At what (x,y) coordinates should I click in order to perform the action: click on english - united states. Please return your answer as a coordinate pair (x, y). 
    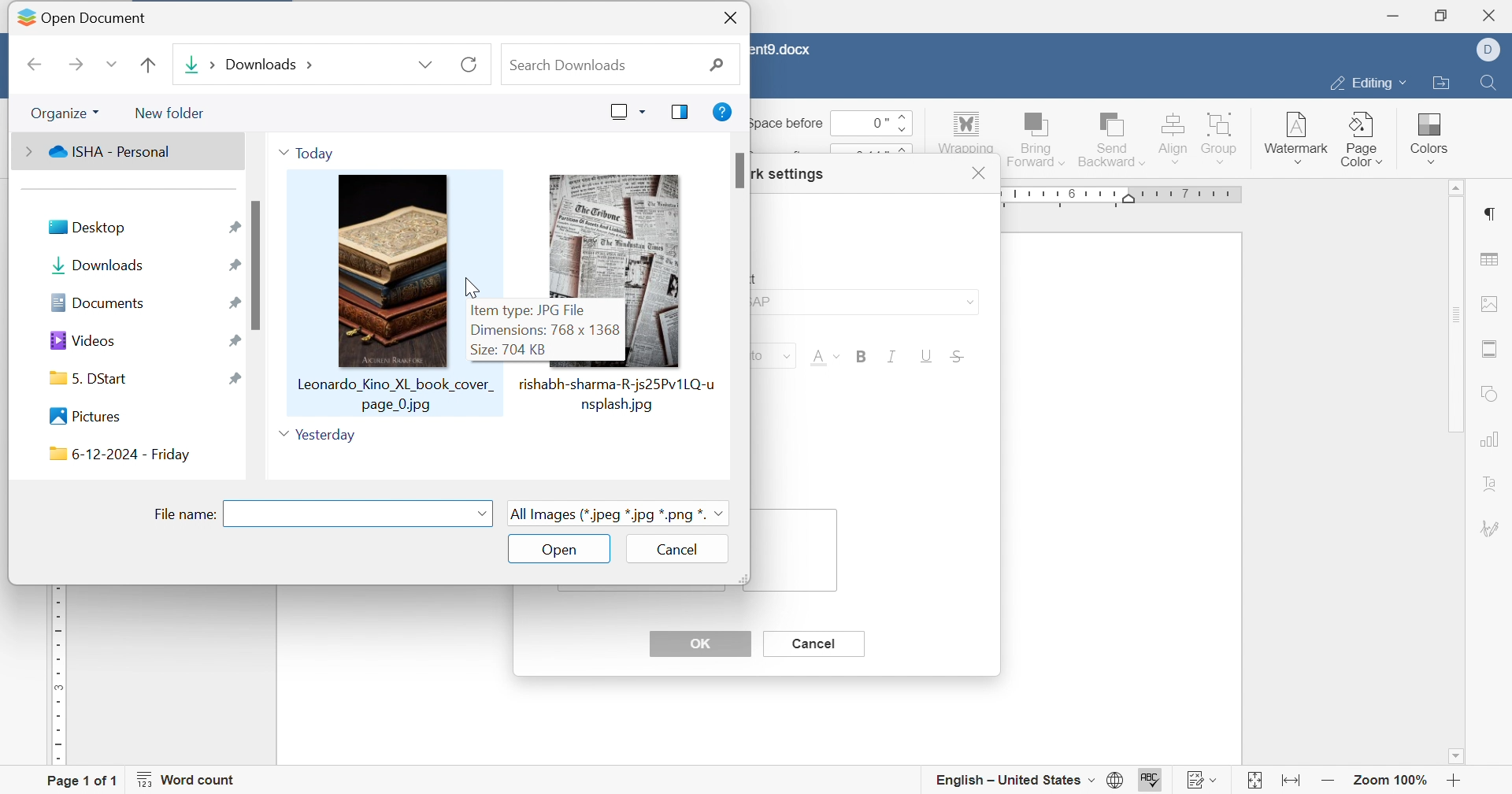
    Looking at the image, I should click on (1014, 781).